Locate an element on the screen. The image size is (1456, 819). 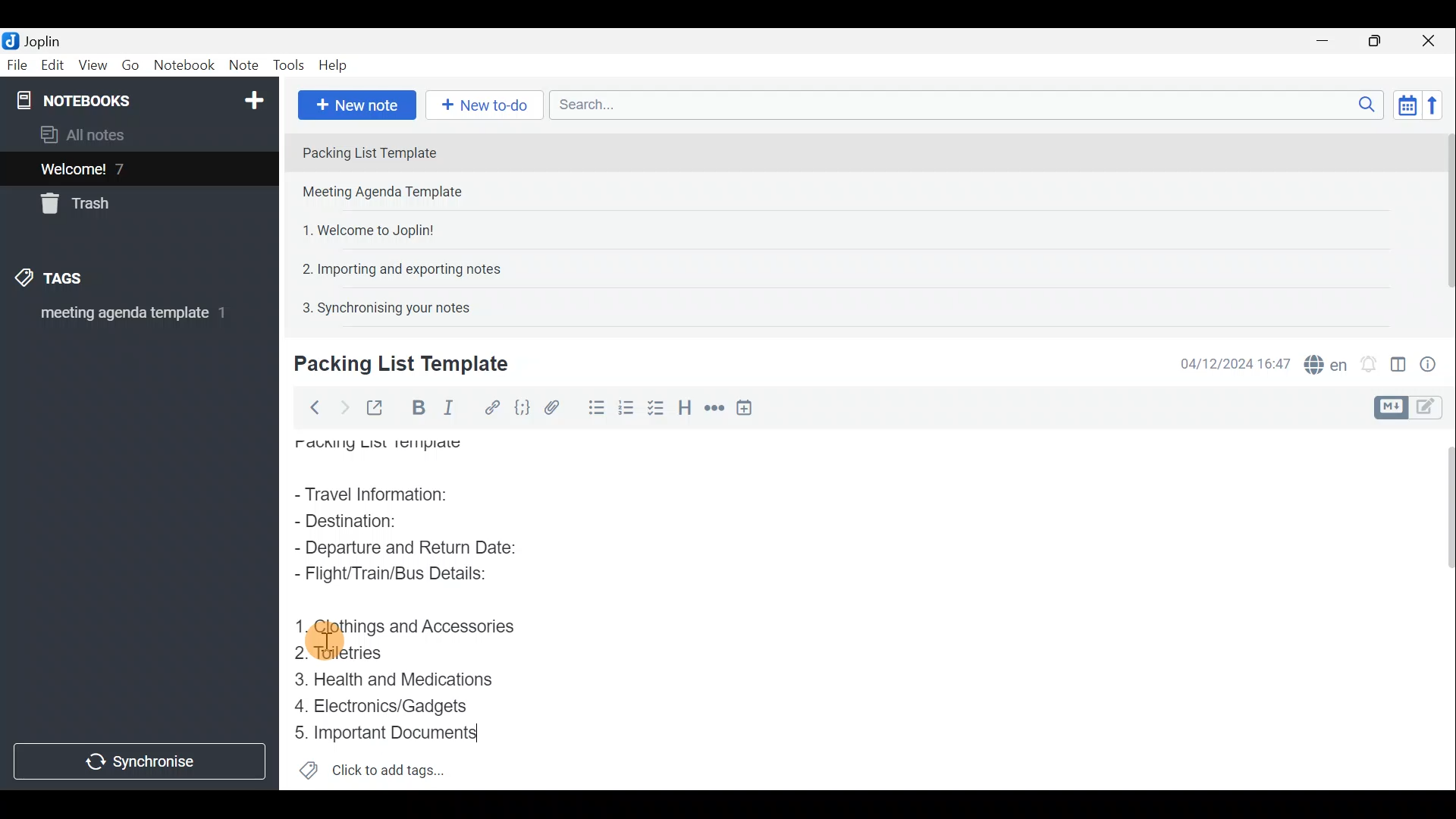
Maximise is located at coordinates (1380, 41).